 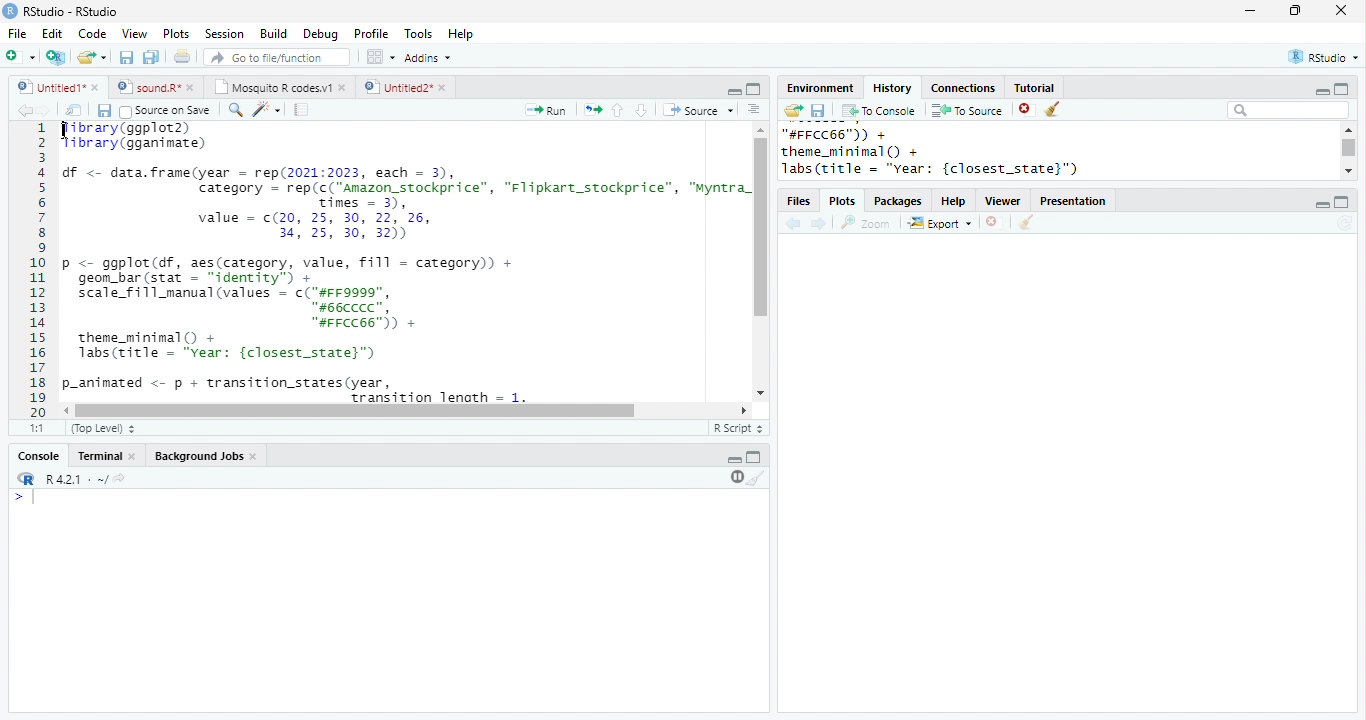 I want to click on Environment, so click(x=822, y=89).